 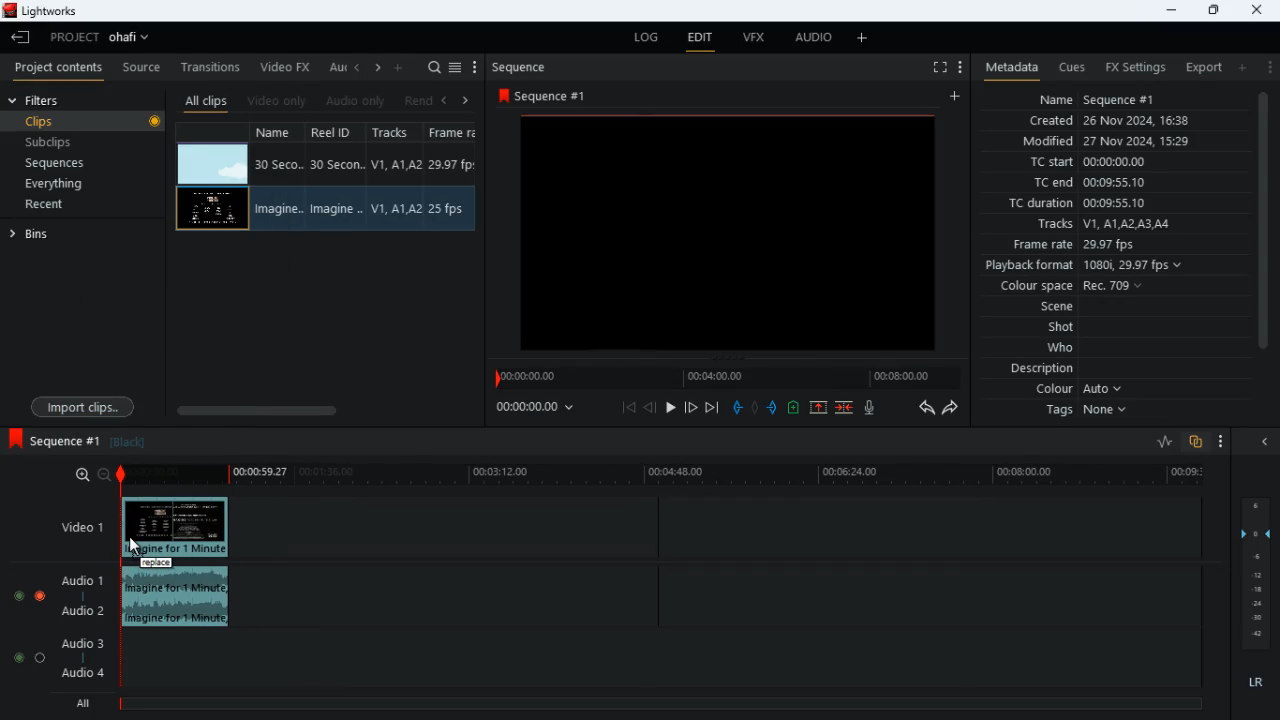 I want to click on left, so click(x=358, y=67).